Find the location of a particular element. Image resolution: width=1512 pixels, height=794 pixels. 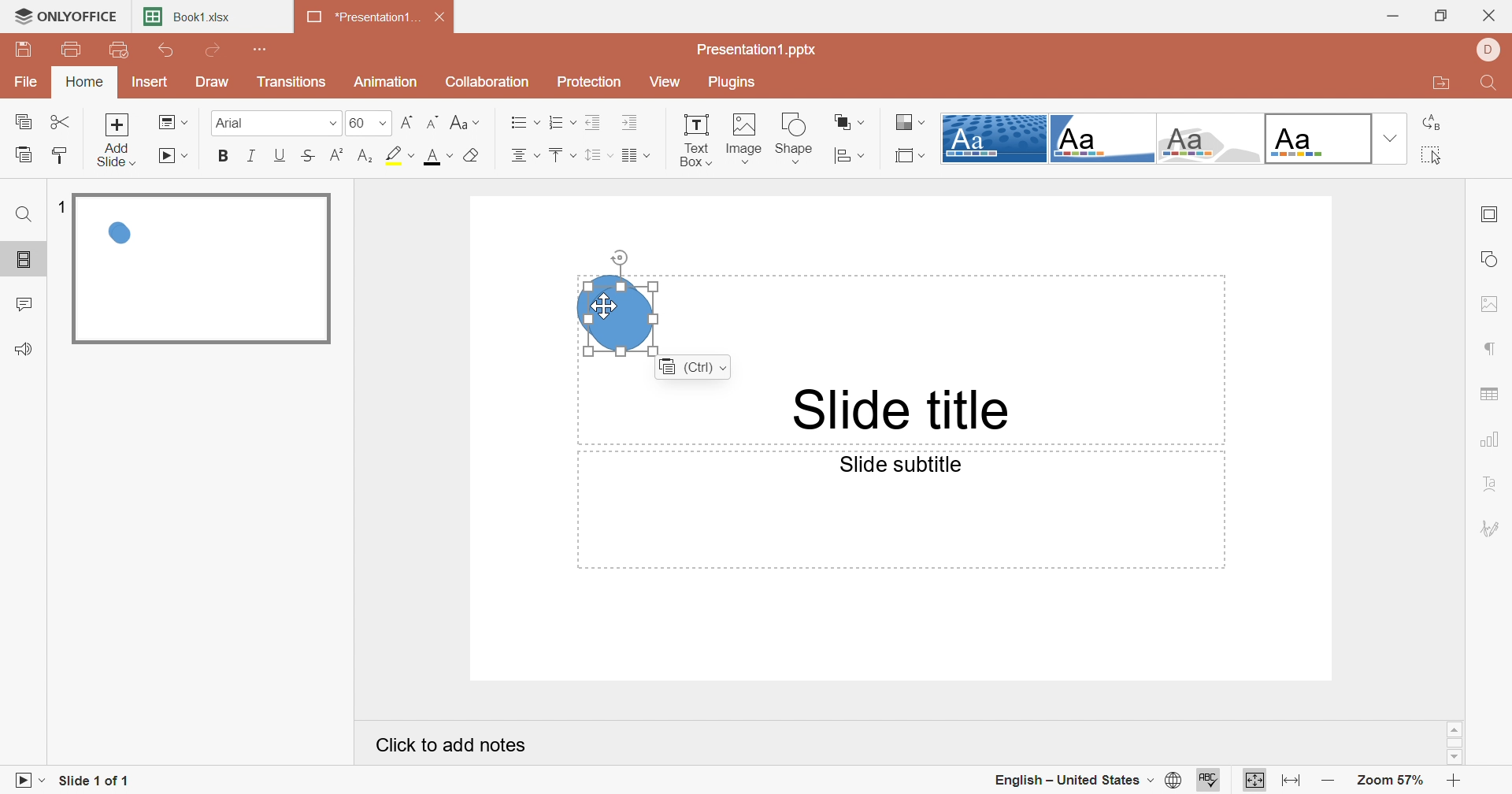

Set document language is located at coordinates (1176, 781).